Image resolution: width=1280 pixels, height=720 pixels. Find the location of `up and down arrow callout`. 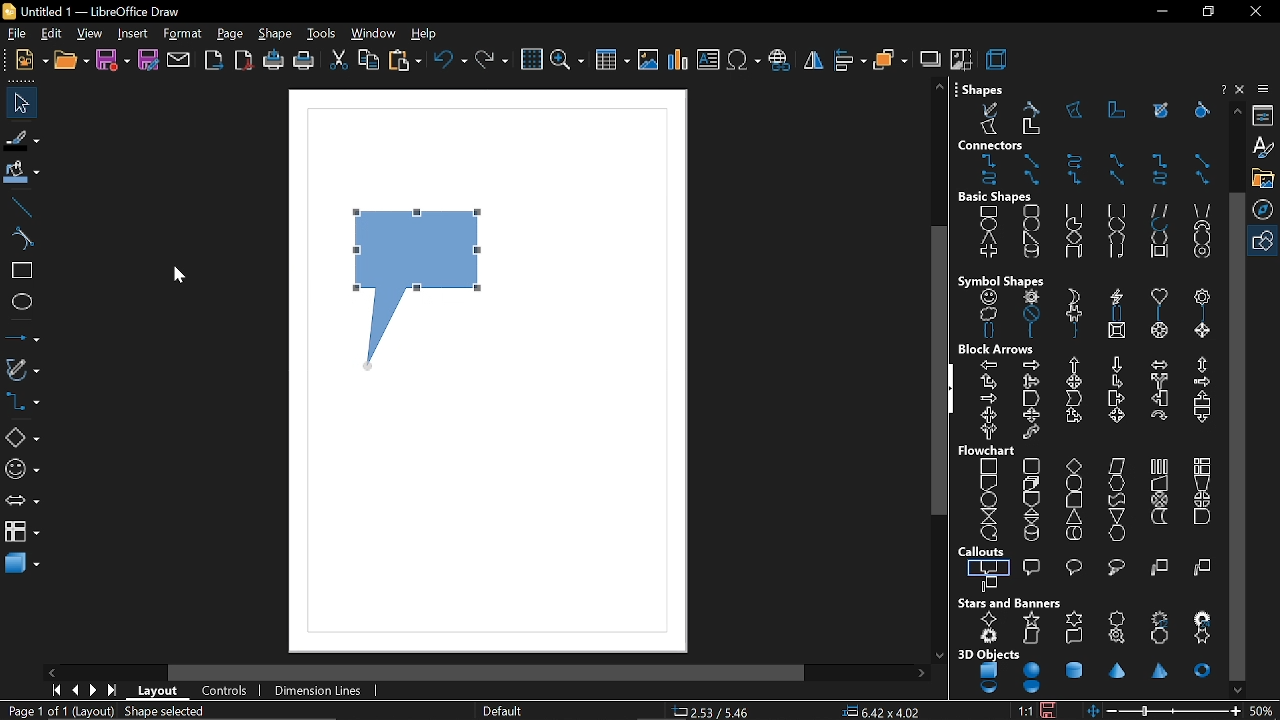

up and down arrow callout is located at coordinates (1029, 415).